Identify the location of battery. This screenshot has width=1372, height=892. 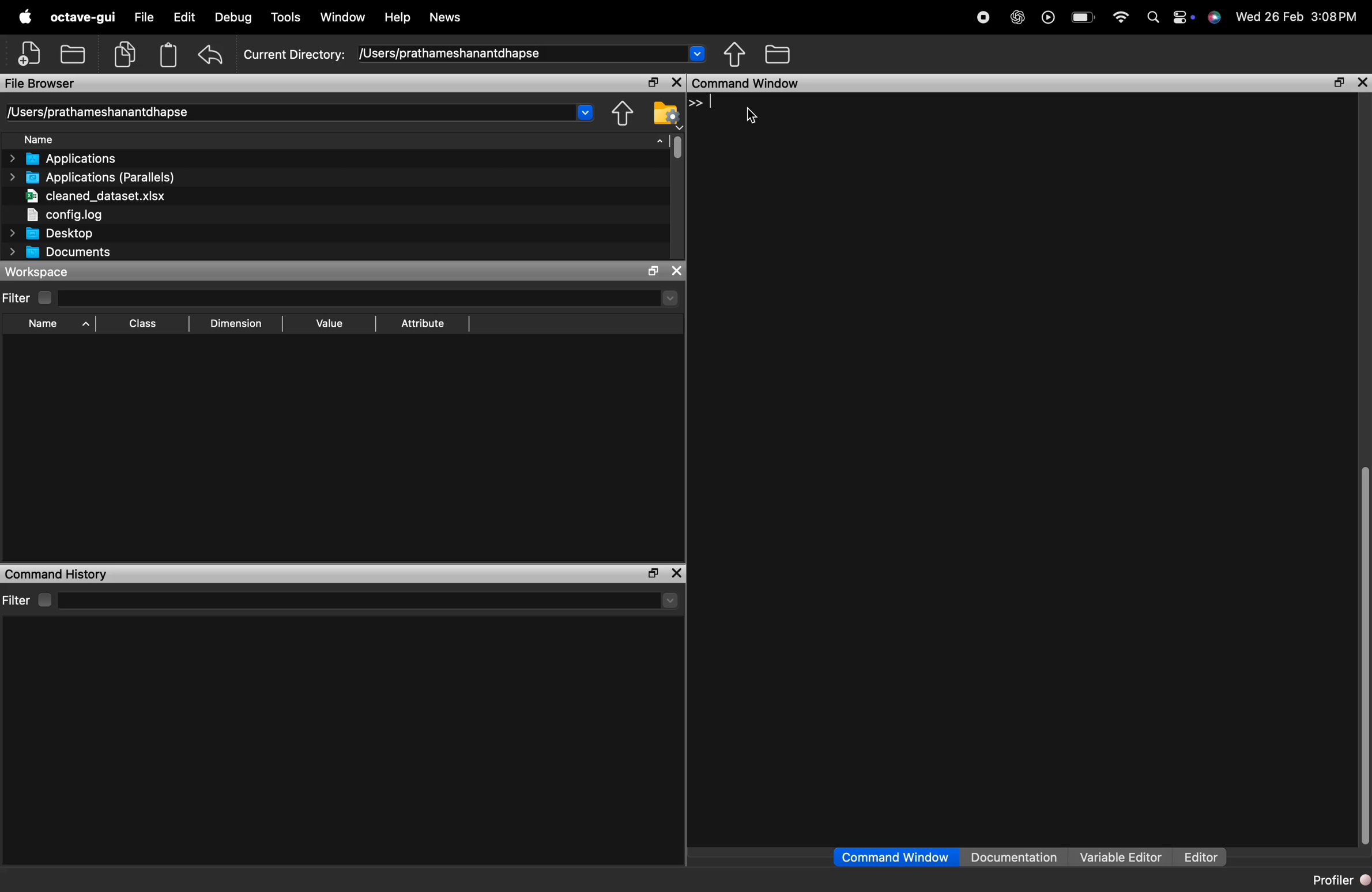
(1083, 16).